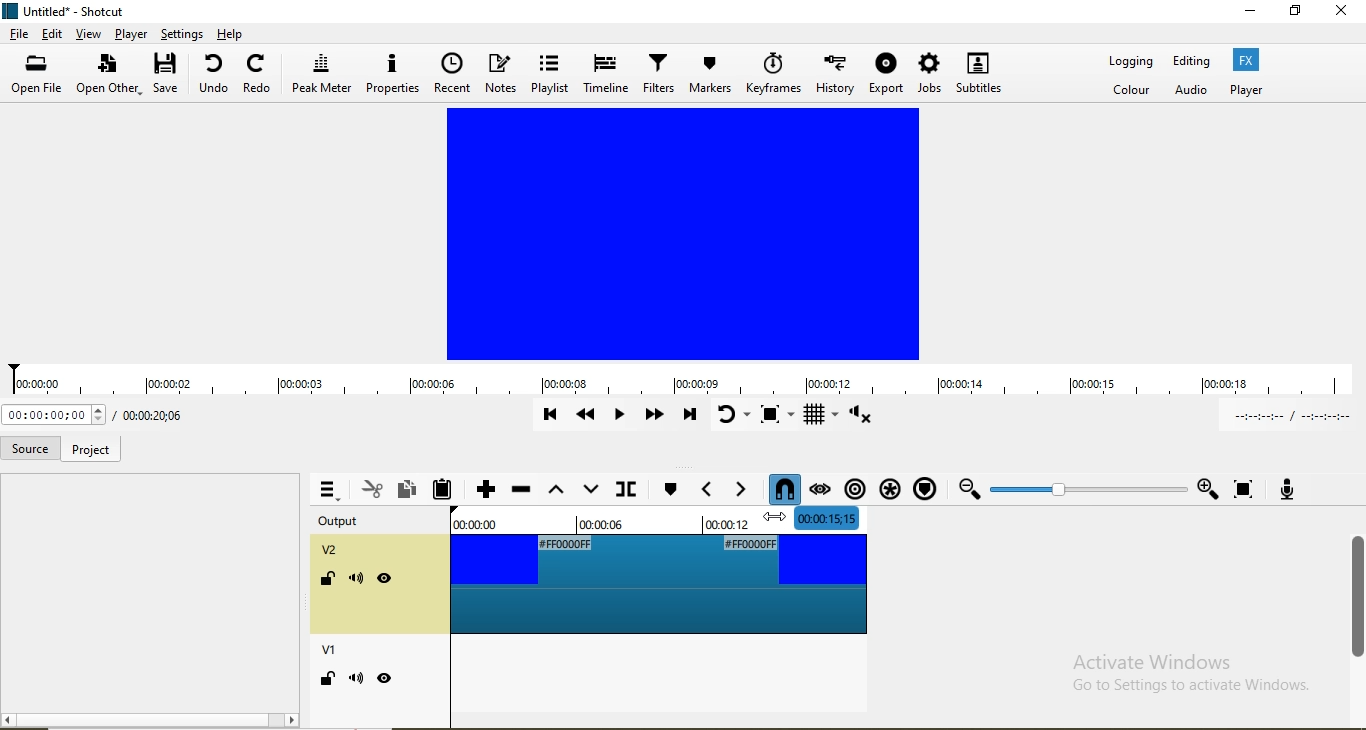 The height and width of the screenshot is (730, 1366). I want to click on time markers, so click(658, 517).